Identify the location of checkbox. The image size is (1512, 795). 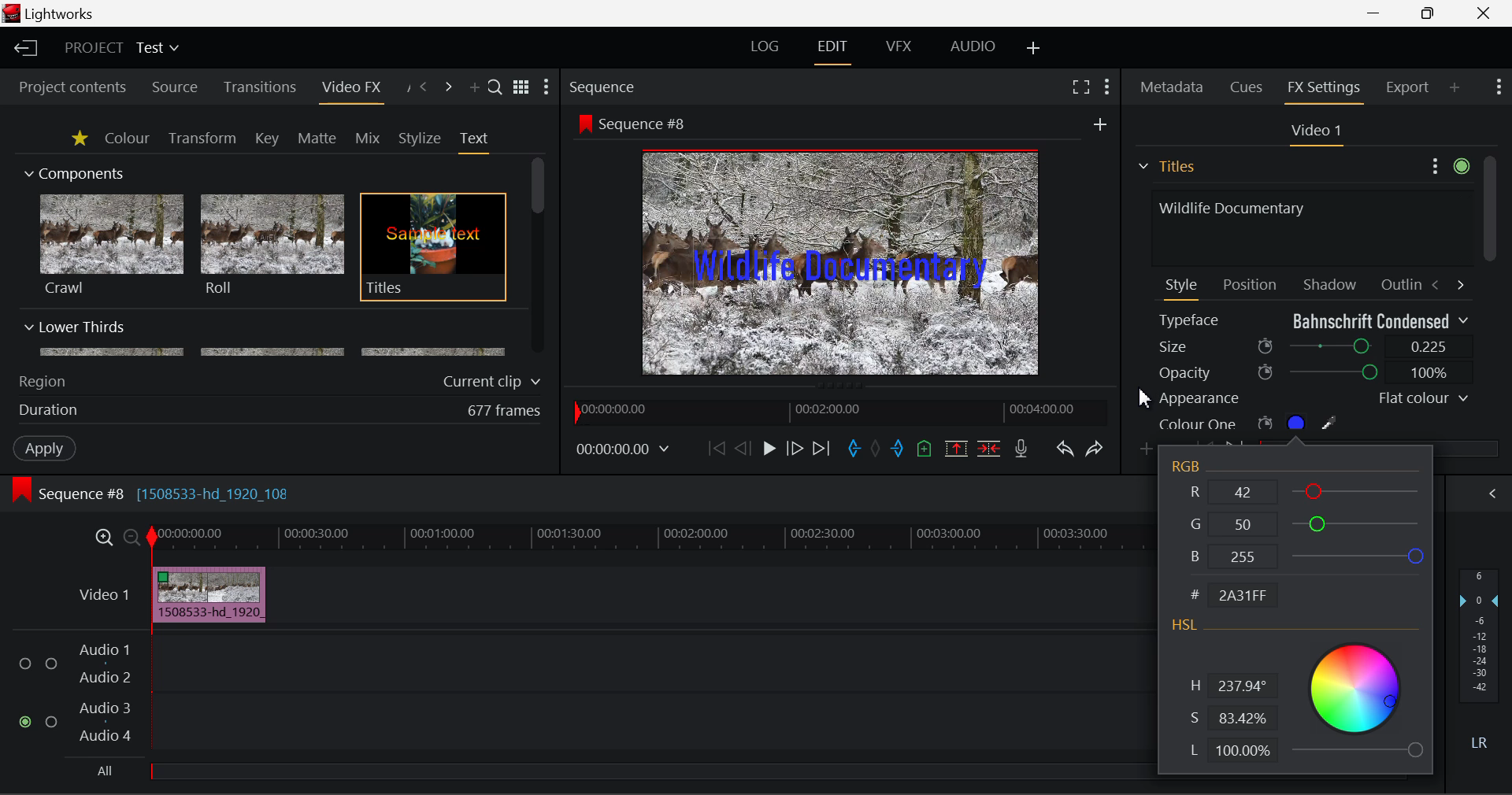
(28, 664).